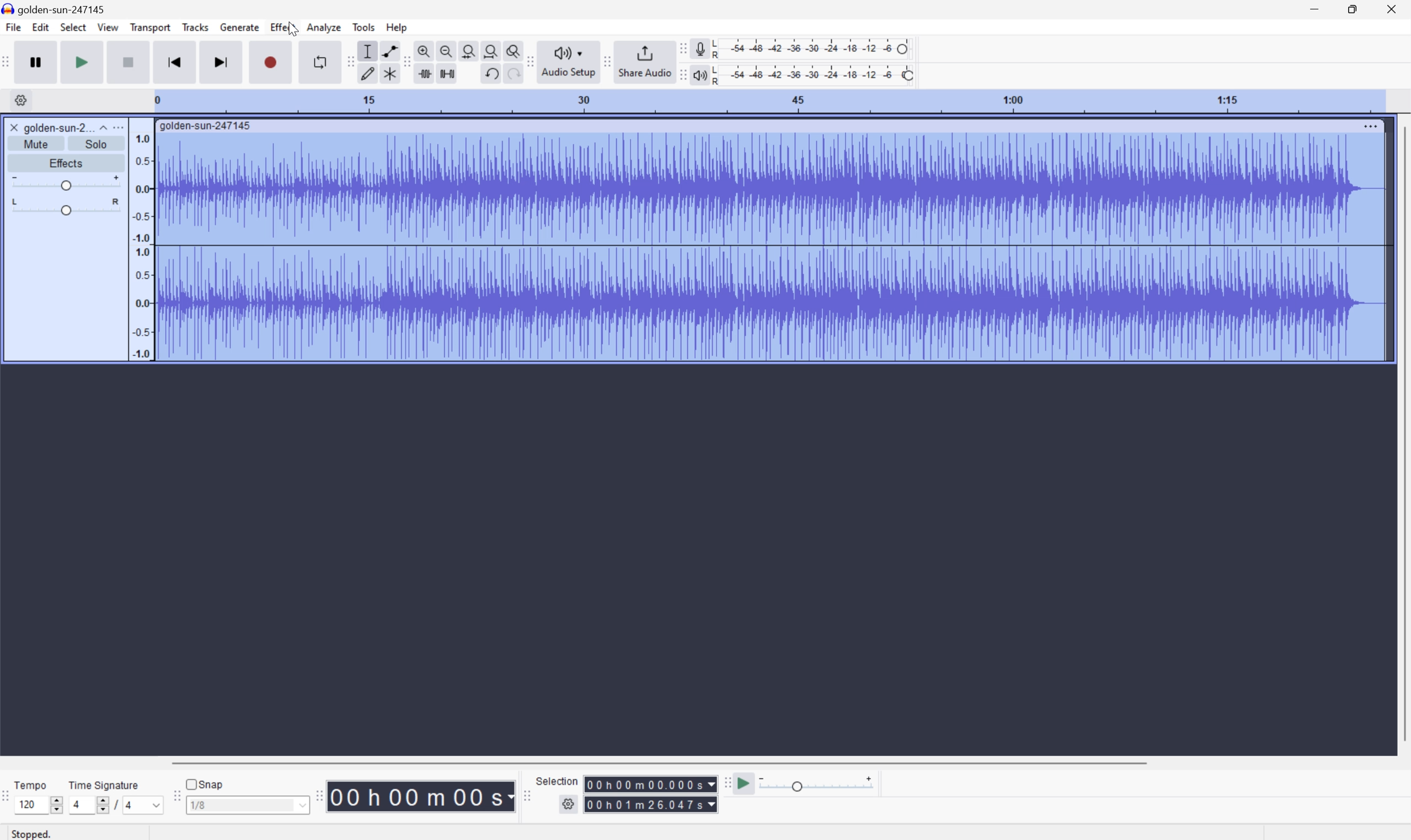 The image size is (1411, 840). What do you see at coordinates (292, 29) in the screenshot?
I see `Cursor` at bounding box center [292, 29].